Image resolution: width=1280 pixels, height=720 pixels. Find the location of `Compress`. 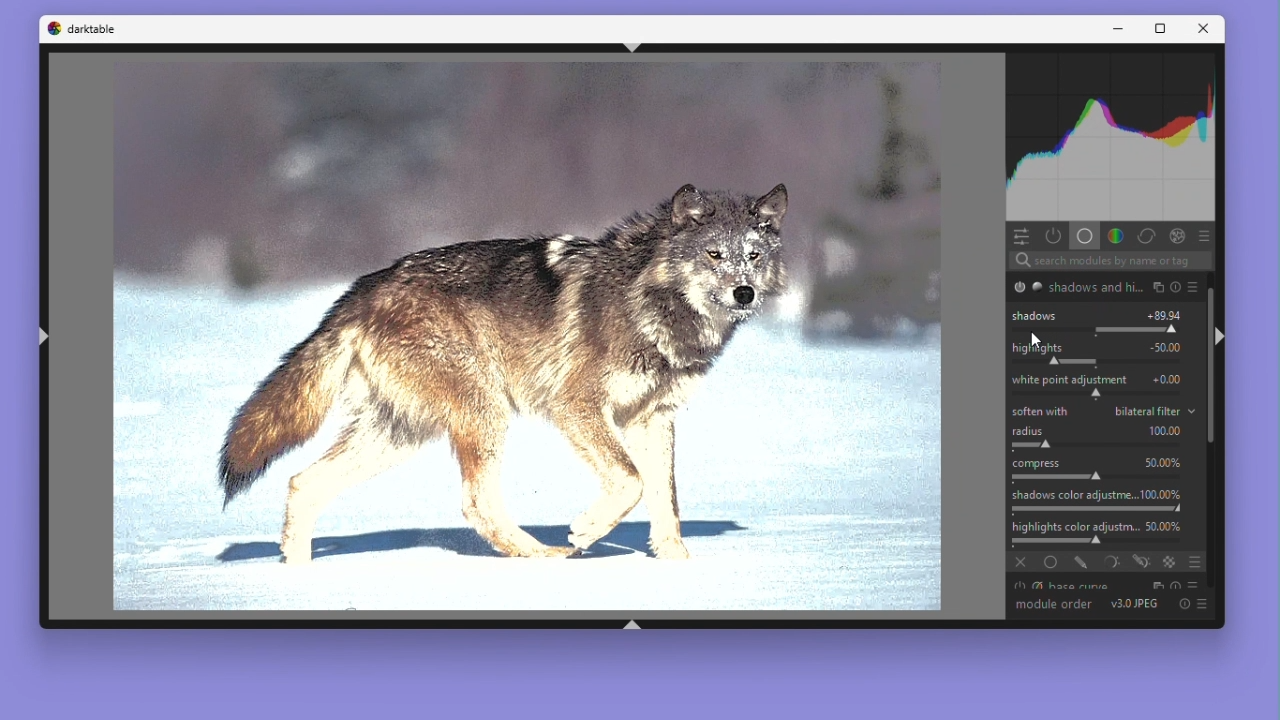

Compress is located at coordinates (1038, 462).